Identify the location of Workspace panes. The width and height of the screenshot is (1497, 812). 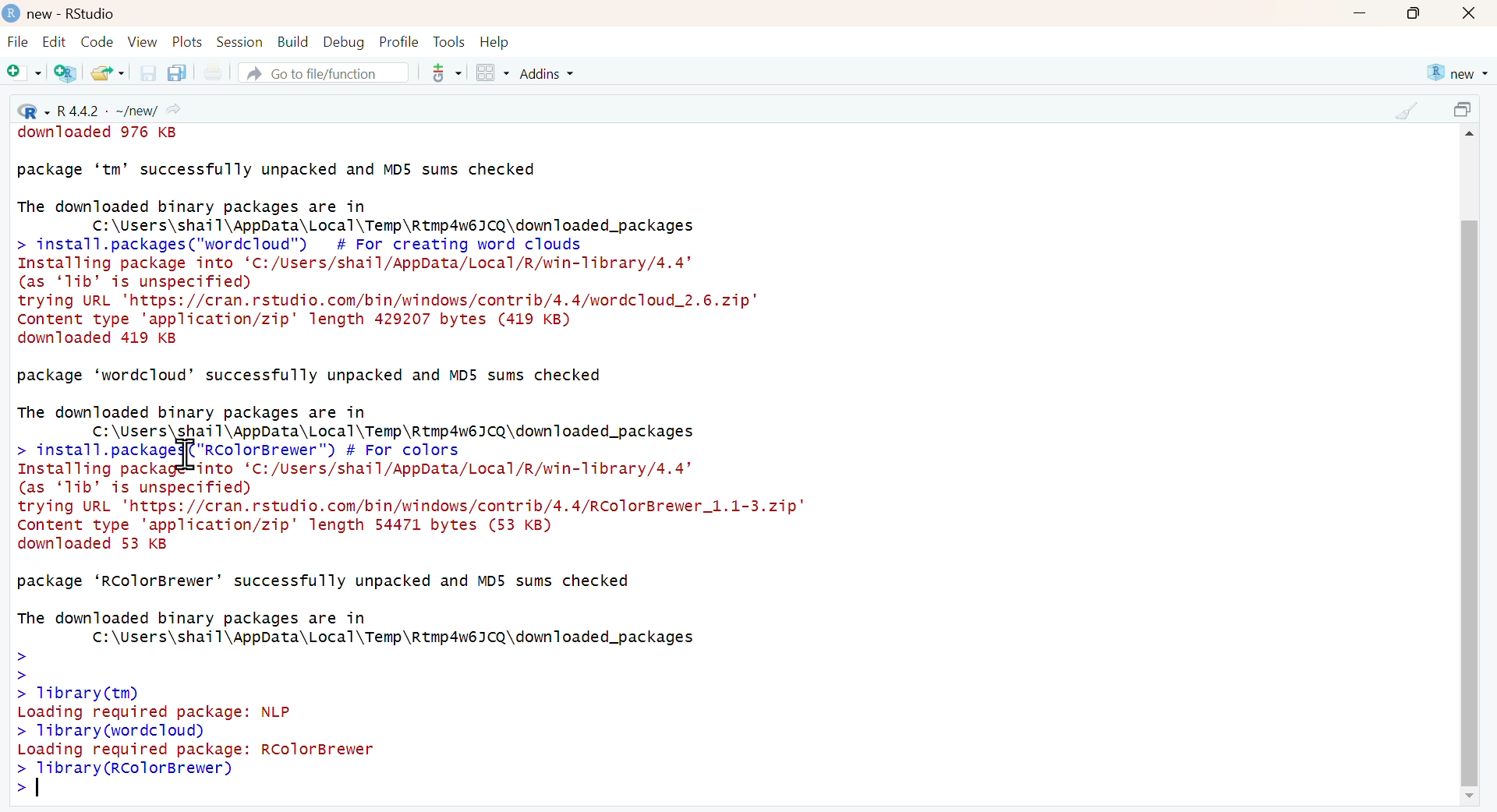
(491, 73).